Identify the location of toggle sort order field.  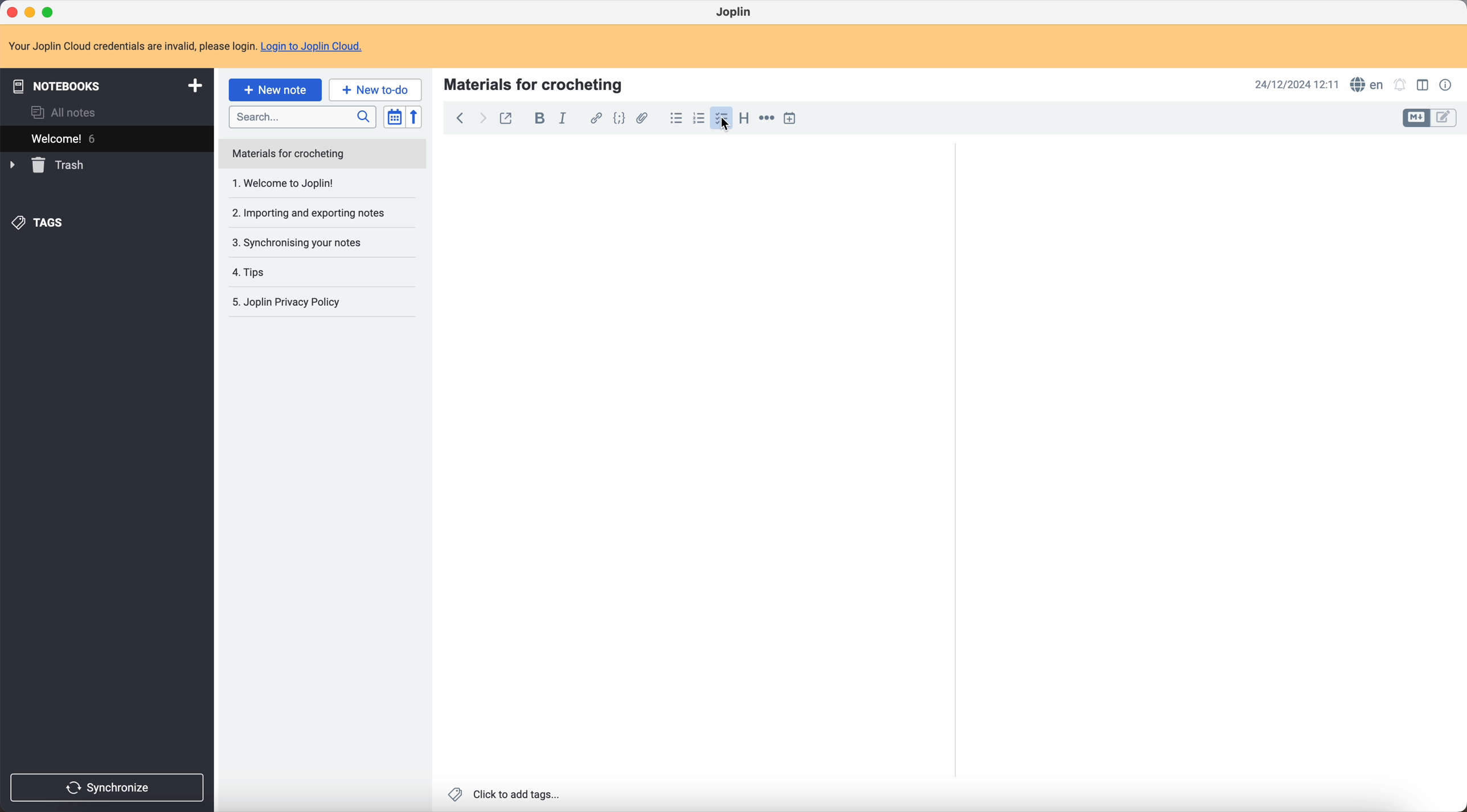
(395, 117).